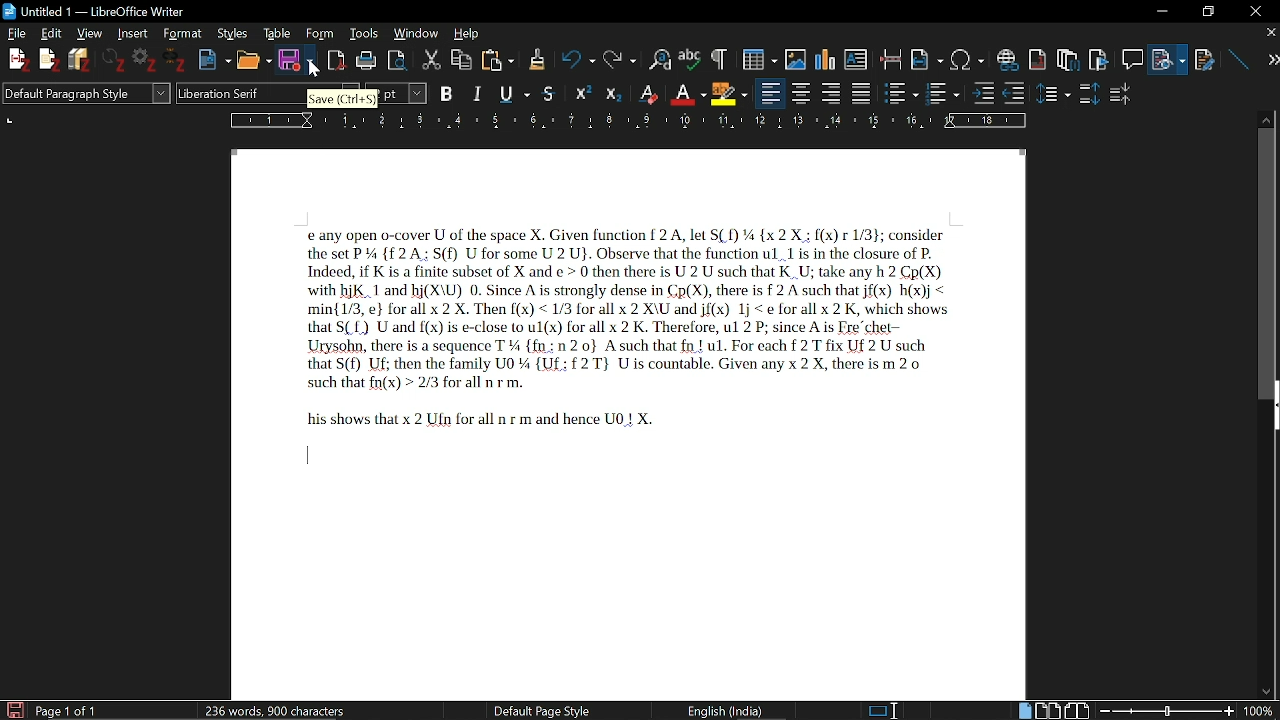 The height and width of the screenshot is (720, 1280). Describe the element at coordinates (402, 58) in the screenshot. I see `Toggle print preview` at that location.